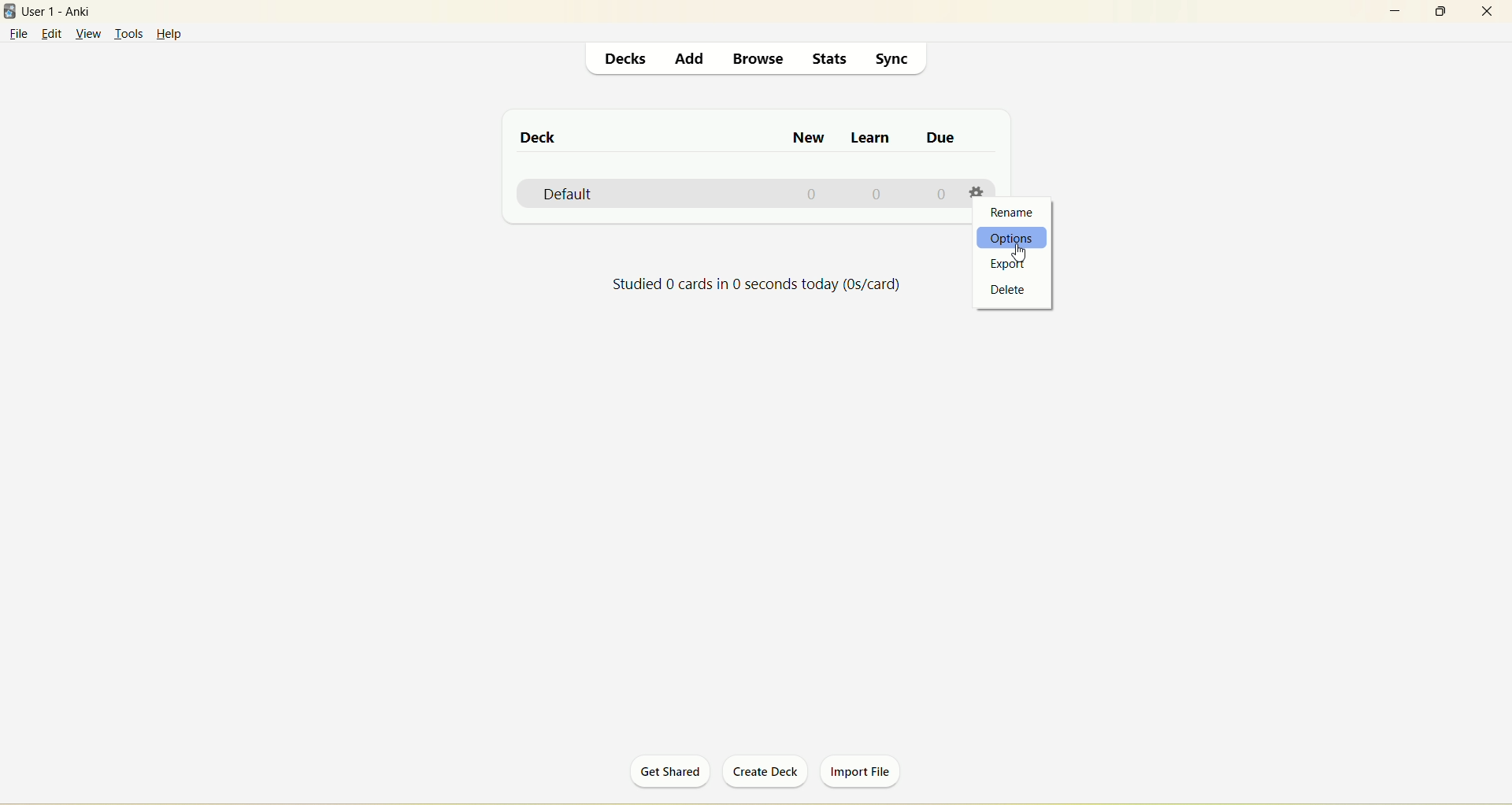  Describe the element at coordinates (897, 61) in the screenshot. I see `sync` at that location.